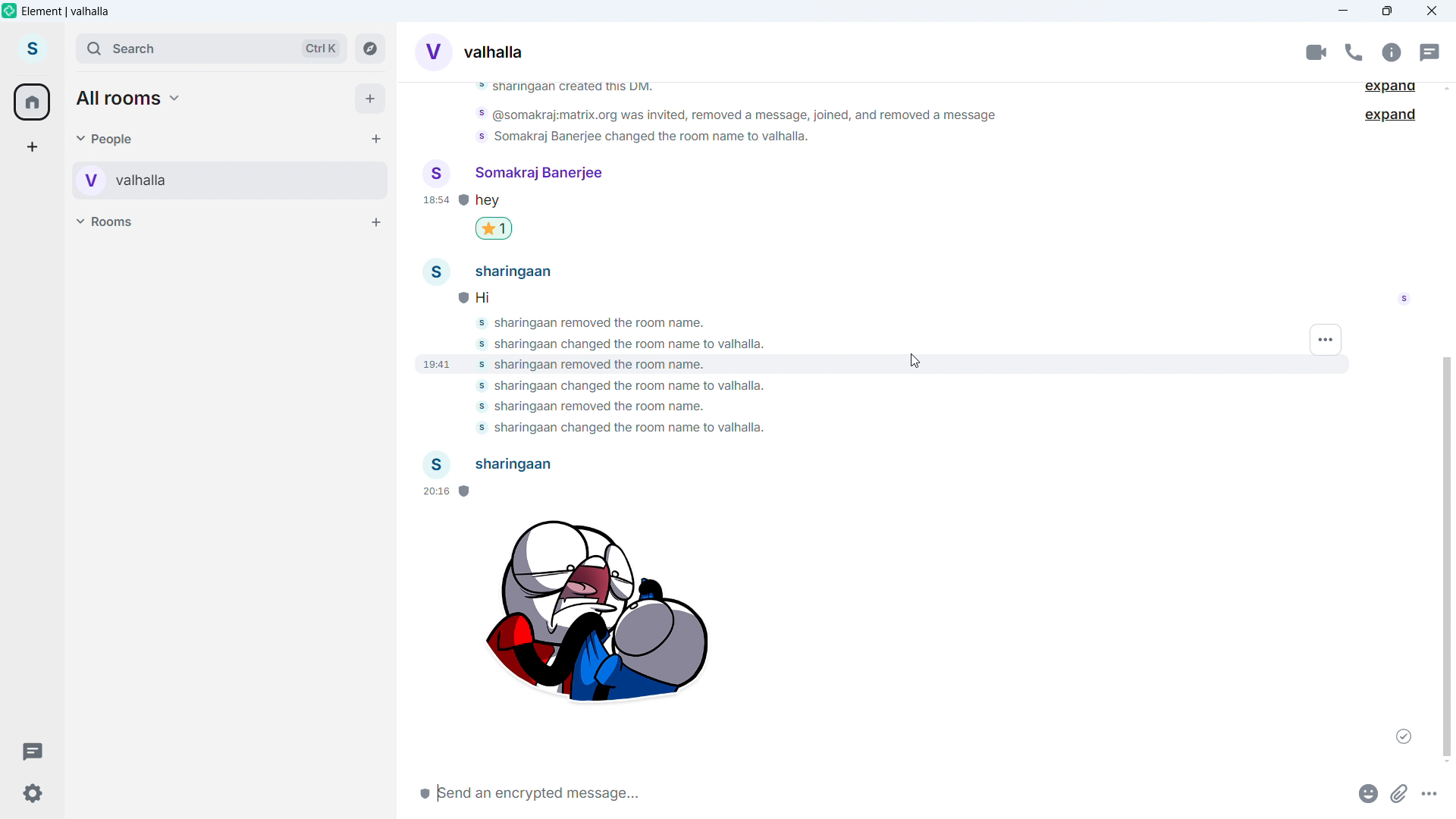  What do you see at coordinates (371, 99) in the screenshot?
I see `Add ` at bounding box center [371, 99].